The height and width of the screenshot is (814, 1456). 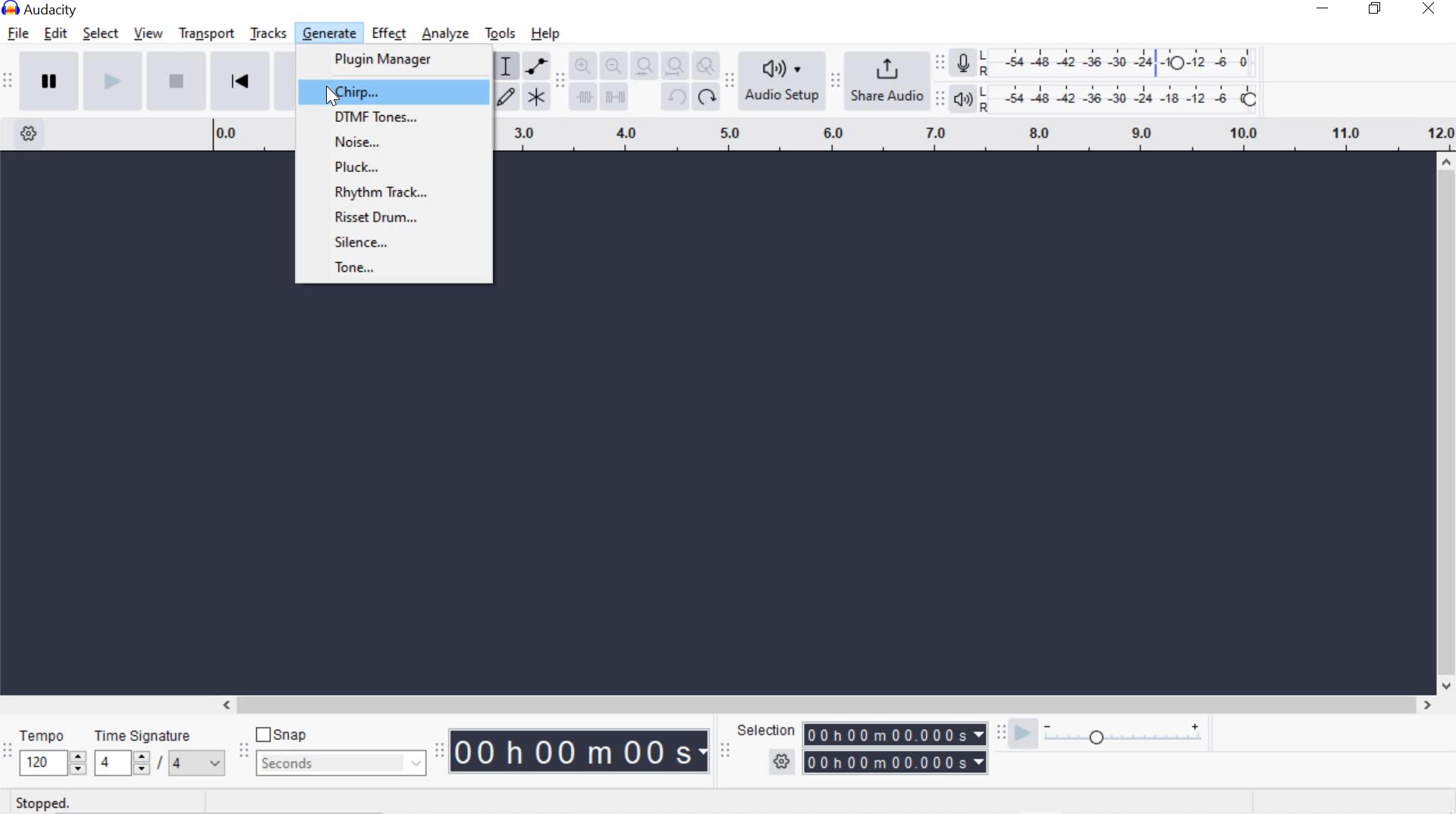 I want to click on system name, so click(x=40, y=10).